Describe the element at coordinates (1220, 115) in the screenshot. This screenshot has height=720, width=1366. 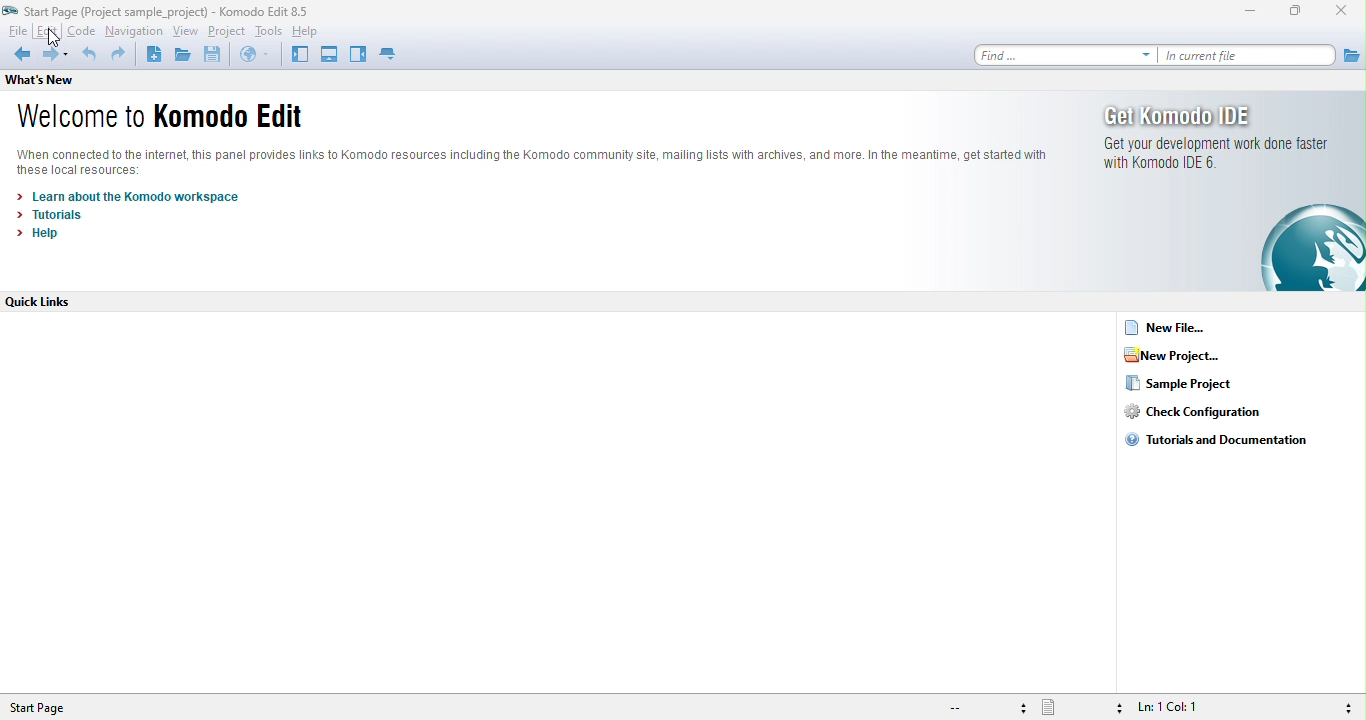
I see `get komodo ide` at that location.